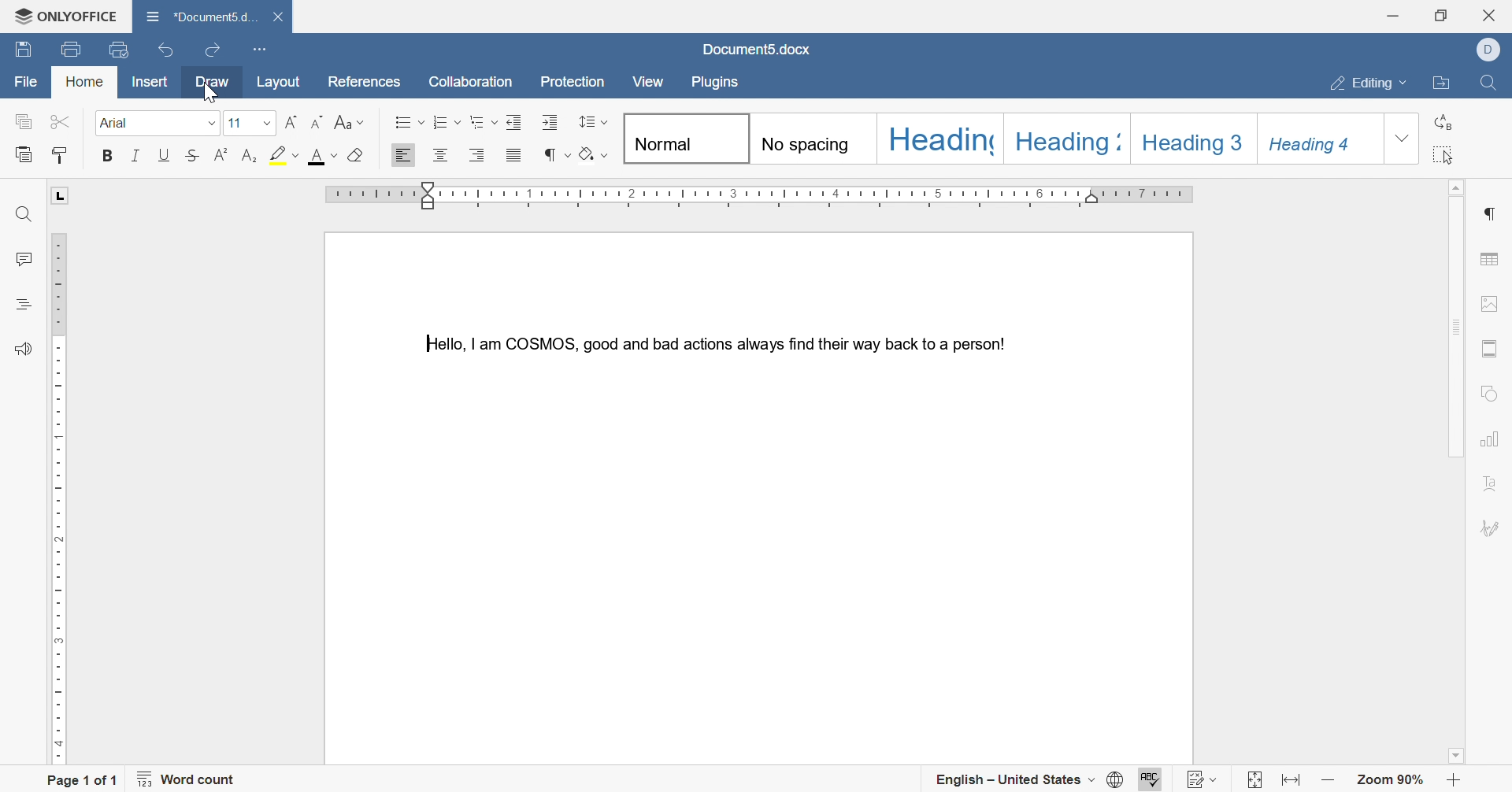  What do you see at coordinates (1369, 81) in the screenshot?
I see `editing` at bounding box center [1369, 81].